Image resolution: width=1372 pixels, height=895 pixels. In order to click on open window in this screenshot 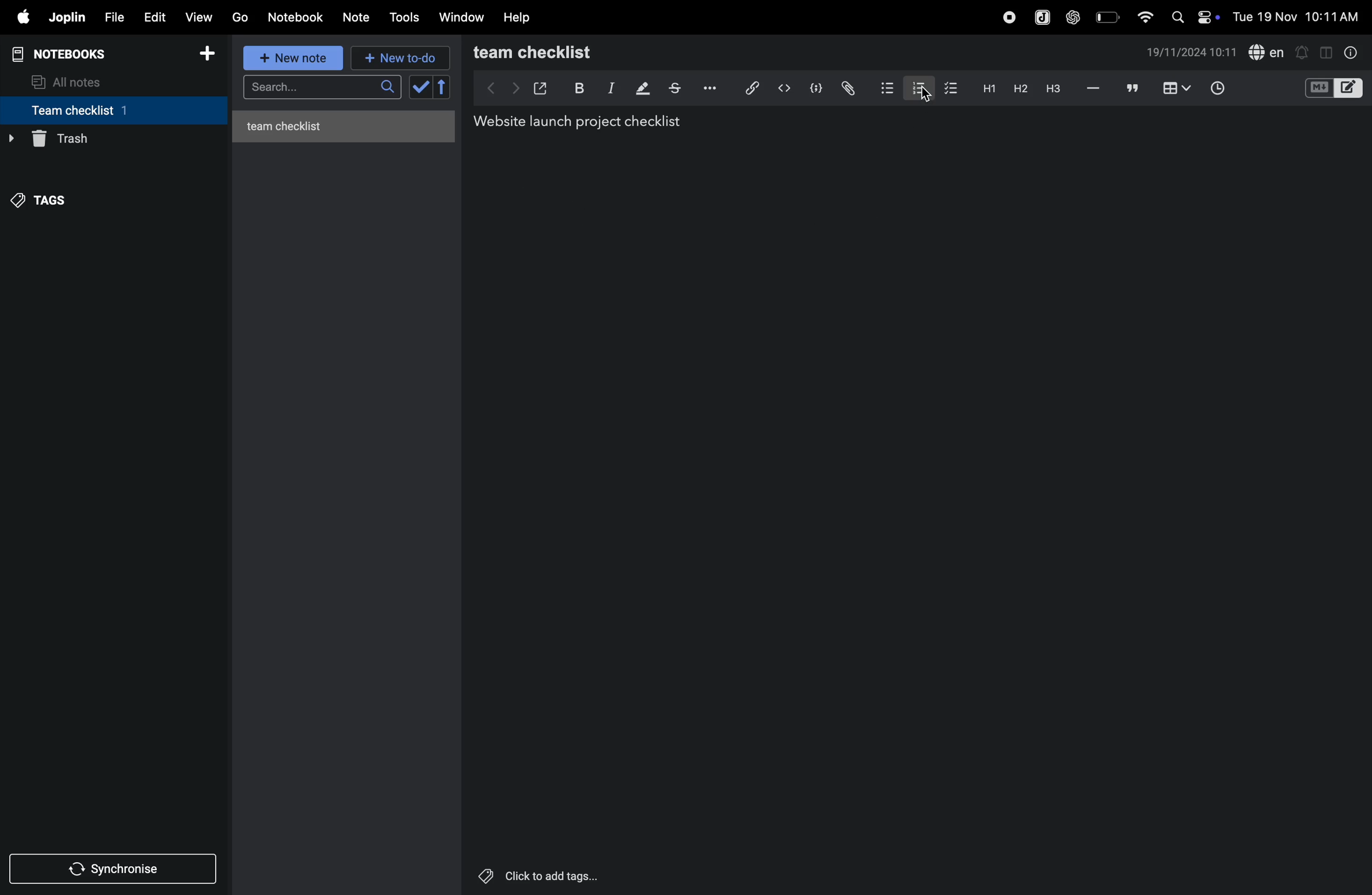, I will do `click(541, 86)`.